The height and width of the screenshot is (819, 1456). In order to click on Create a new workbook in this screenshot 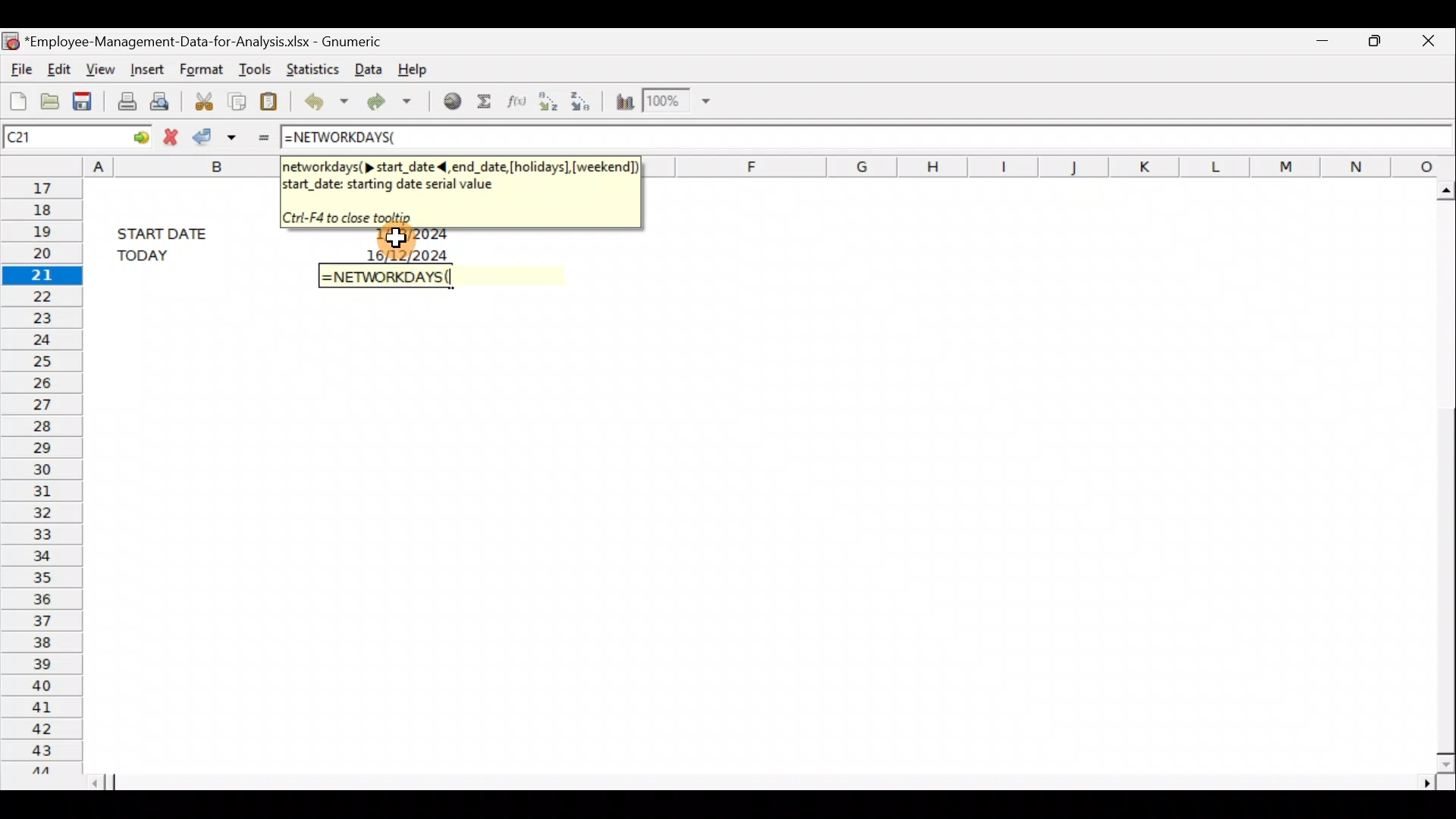, I will do `click(15, 97)`.